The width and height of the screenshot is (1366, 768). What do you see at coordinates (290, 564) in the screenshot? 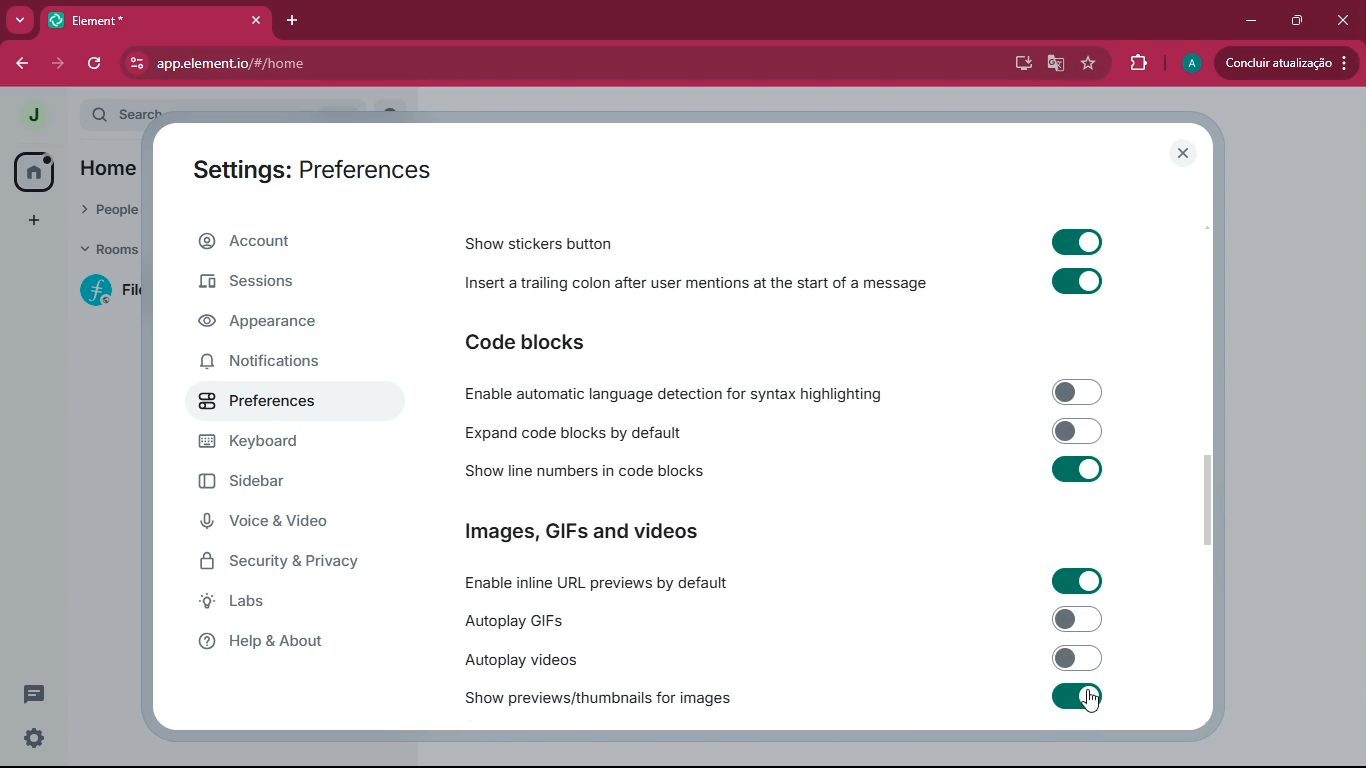
I see `Security & Privacy` at bounding box center [290, 564].